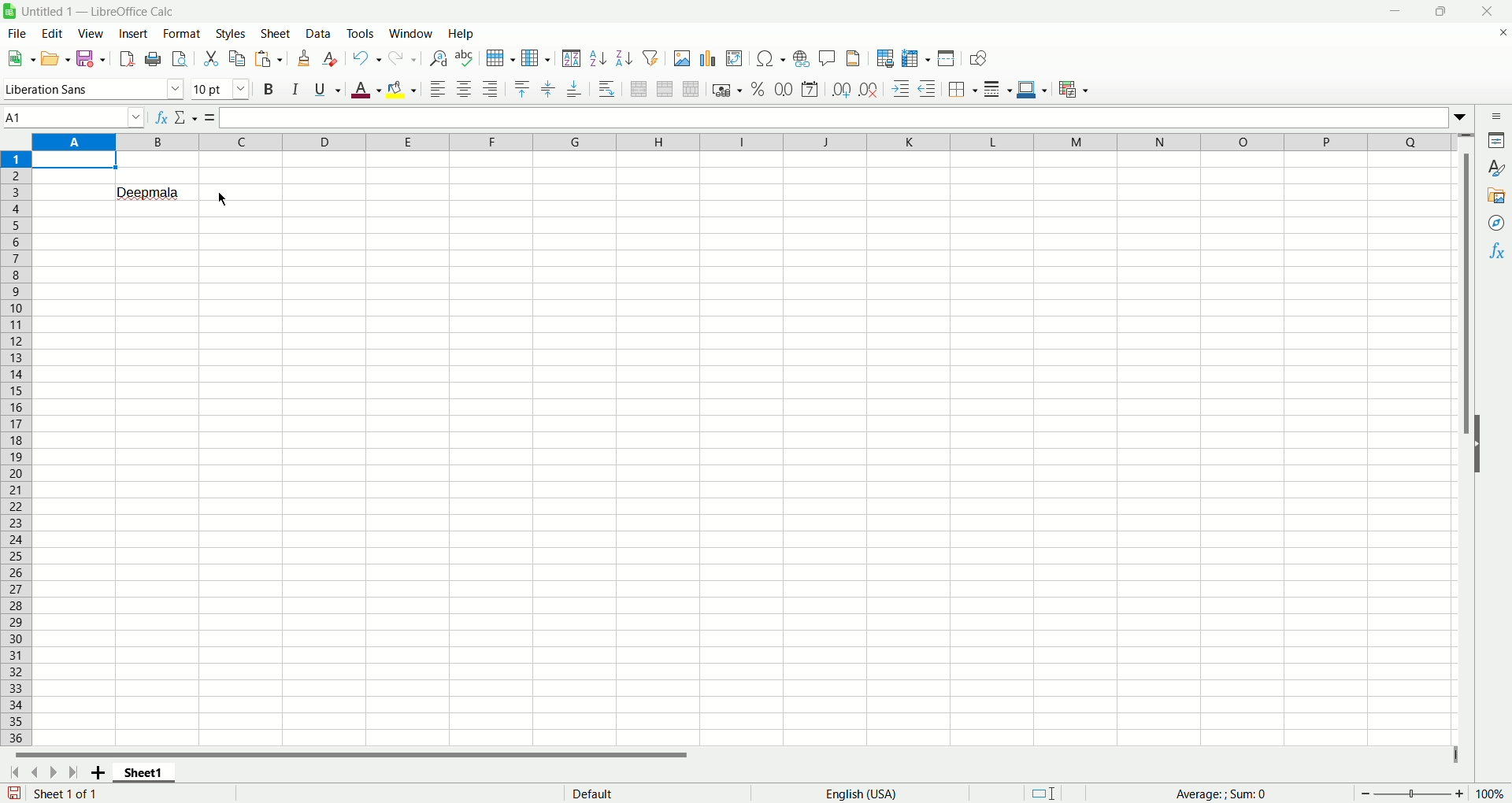  I want to click on Column, so click(744, 141).